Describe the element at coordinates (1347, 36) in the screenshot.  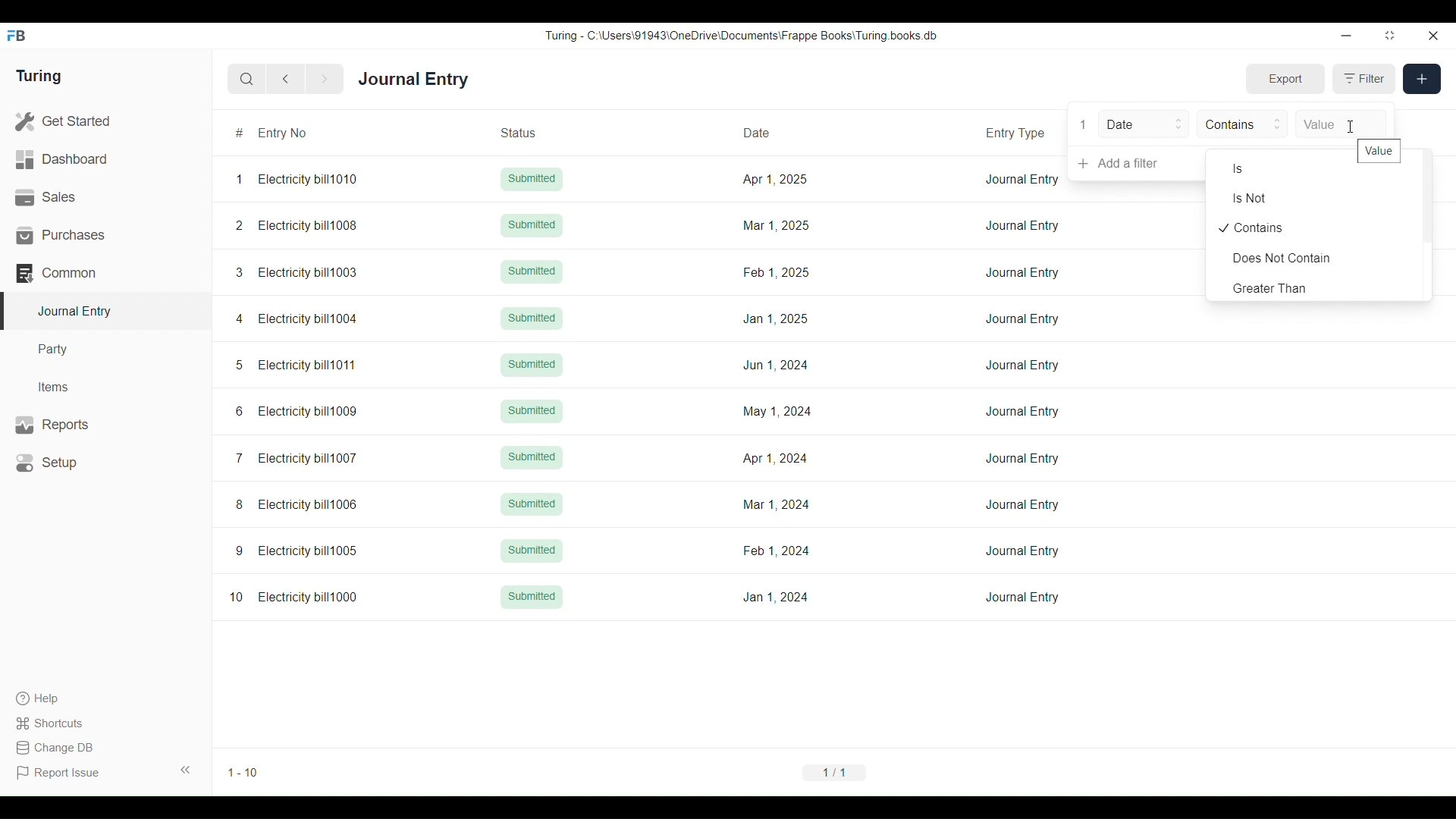
I see `Minimize` at that location.